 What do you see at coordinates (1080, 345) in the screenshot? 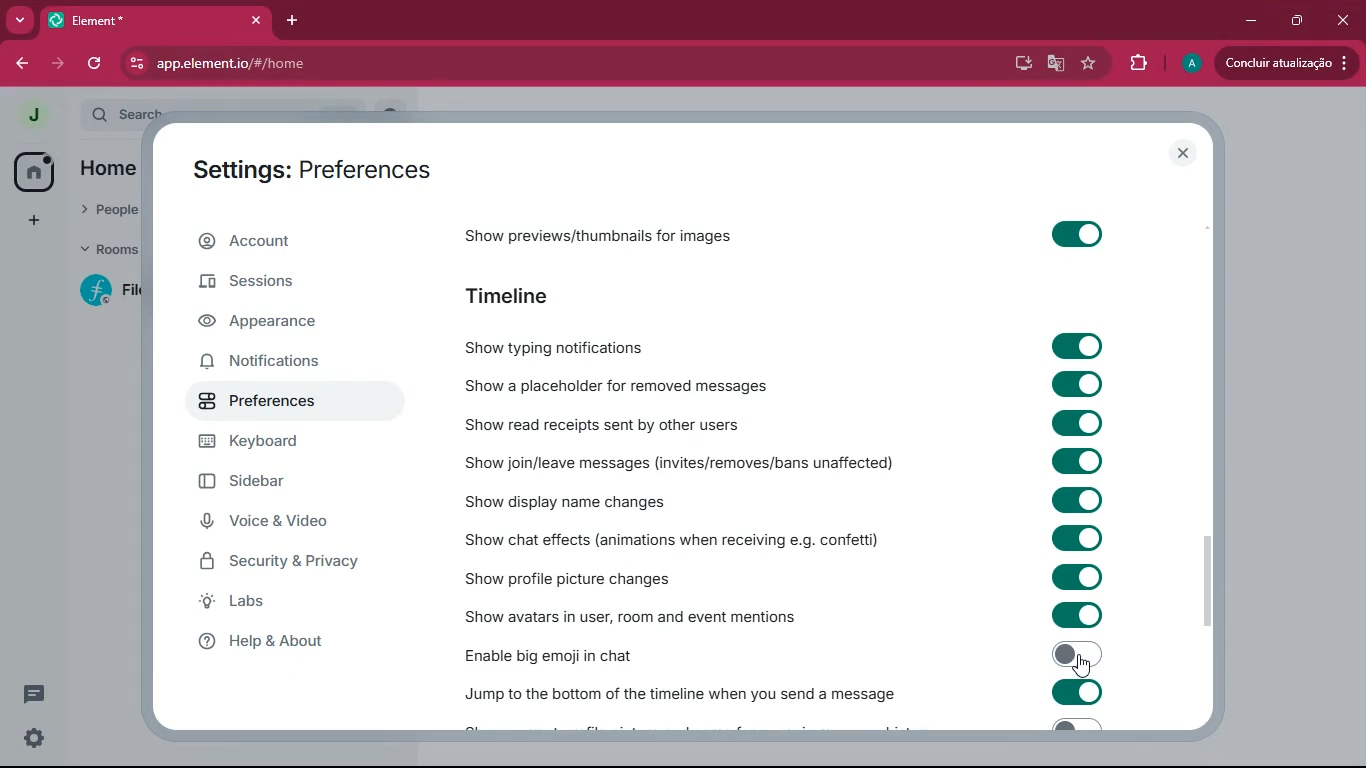
I see `toggle on ` at bounding box center [1080, 345].